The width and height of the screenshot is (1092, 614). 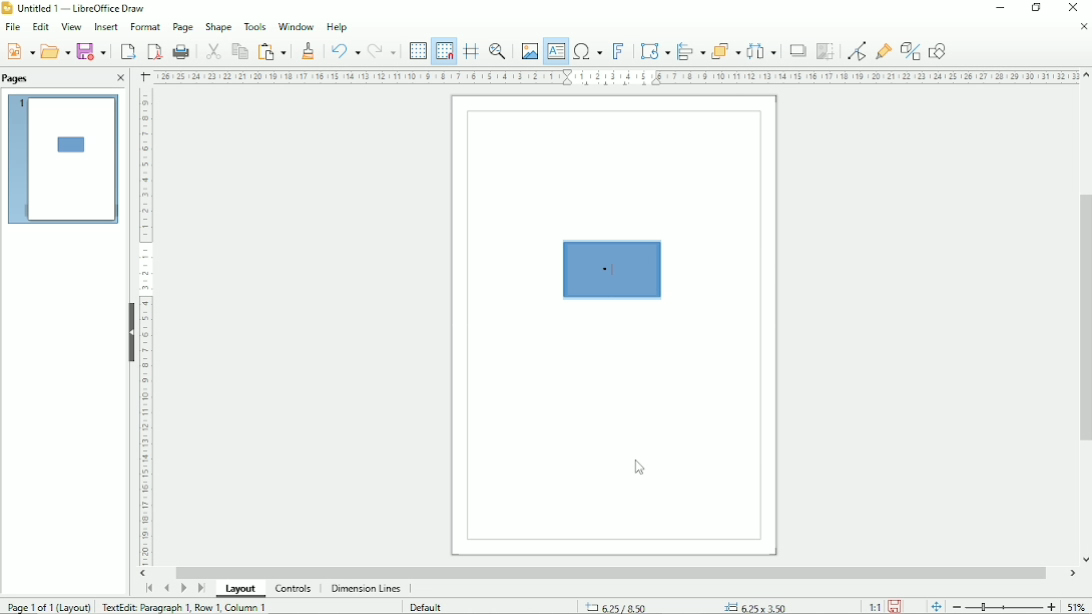 What do you see at coordinates (620, 51) in the screenshot?
I see `Insert fontwork text` at bounding box center [620, 51].